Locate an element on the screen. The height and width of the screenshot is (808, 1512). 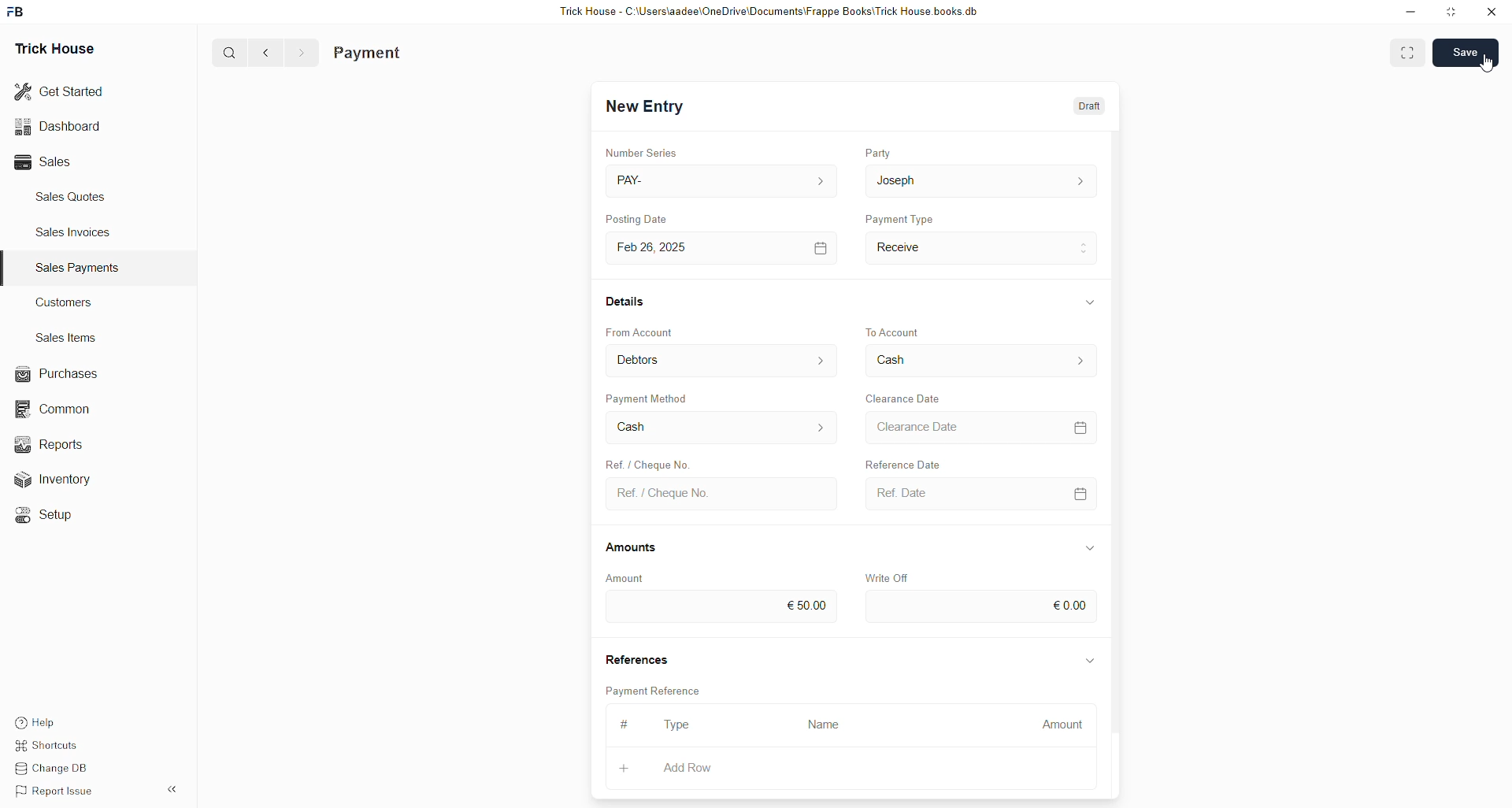
Inventory is located at coordinates (71, 478).